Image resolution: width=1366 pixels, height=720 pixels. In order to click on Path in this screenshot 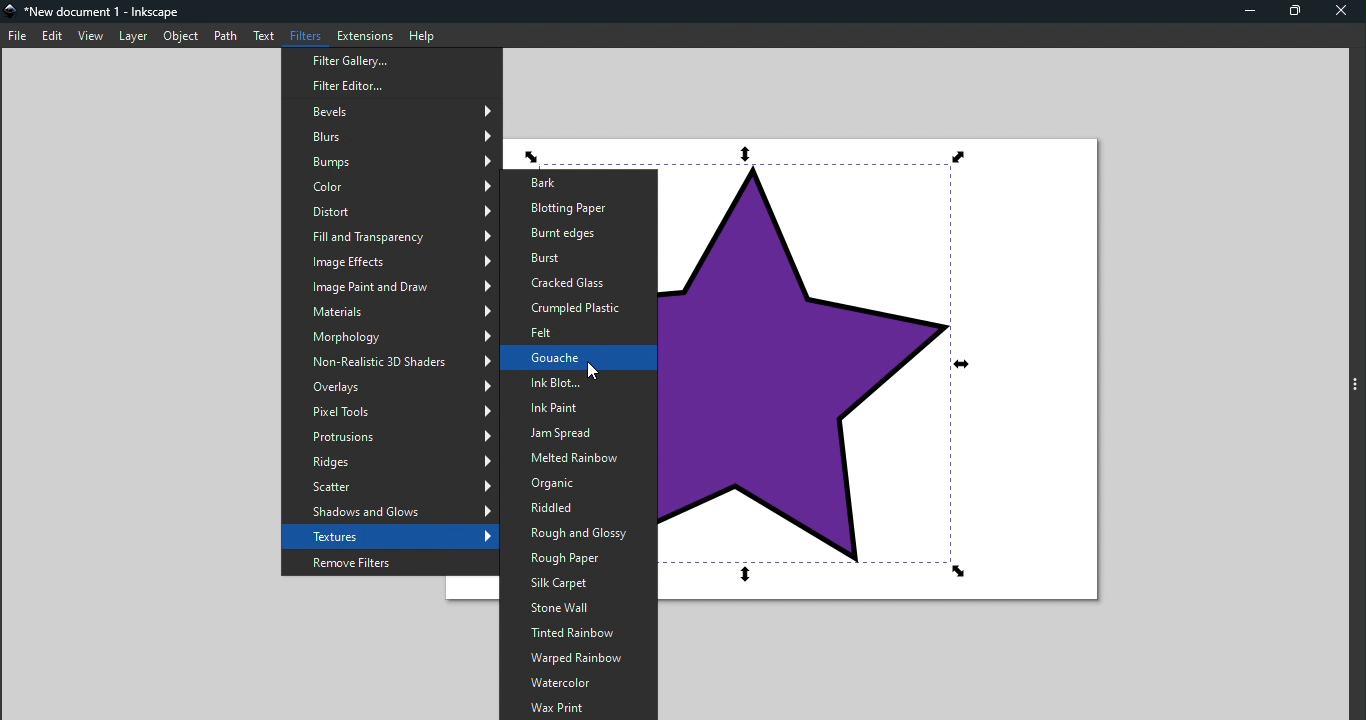, I will do `click(226, 36)`.